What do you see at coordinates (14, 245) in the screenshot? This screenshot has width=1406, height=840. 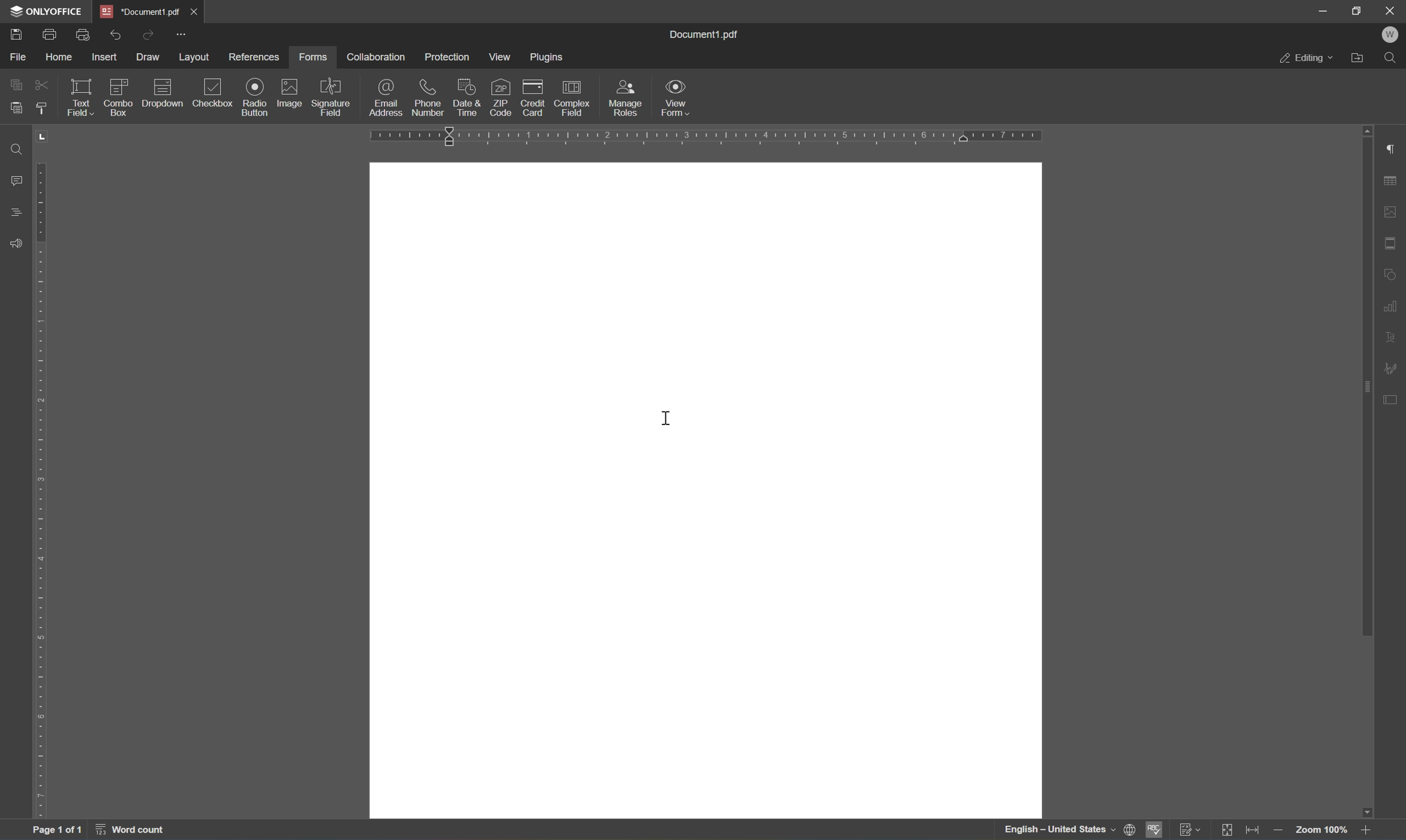 I see `feedback and support` at bounding box center [14, 245].